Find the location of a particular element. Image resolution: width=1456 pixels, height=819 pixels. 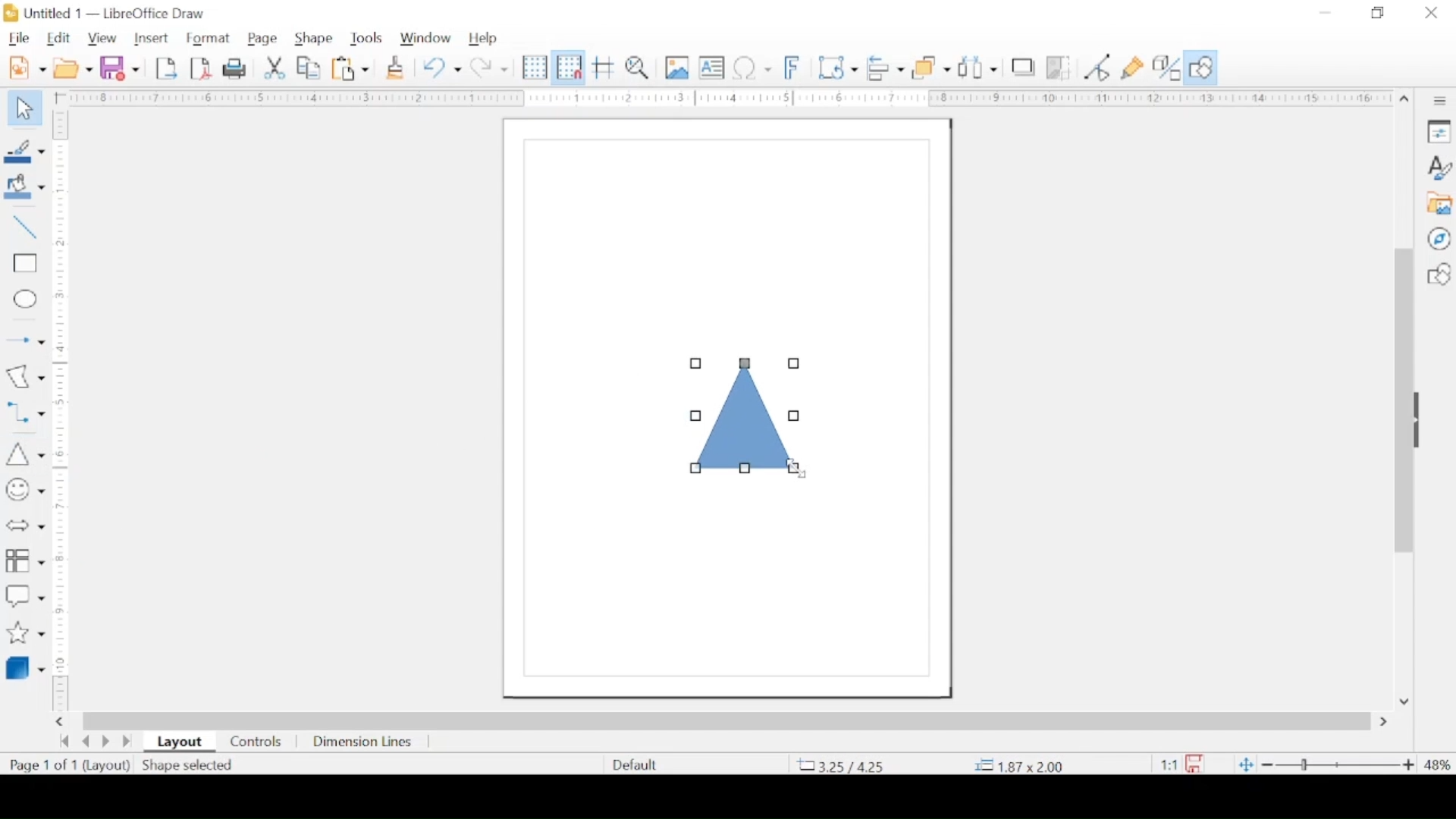

page is located at coordinates (265, 37).